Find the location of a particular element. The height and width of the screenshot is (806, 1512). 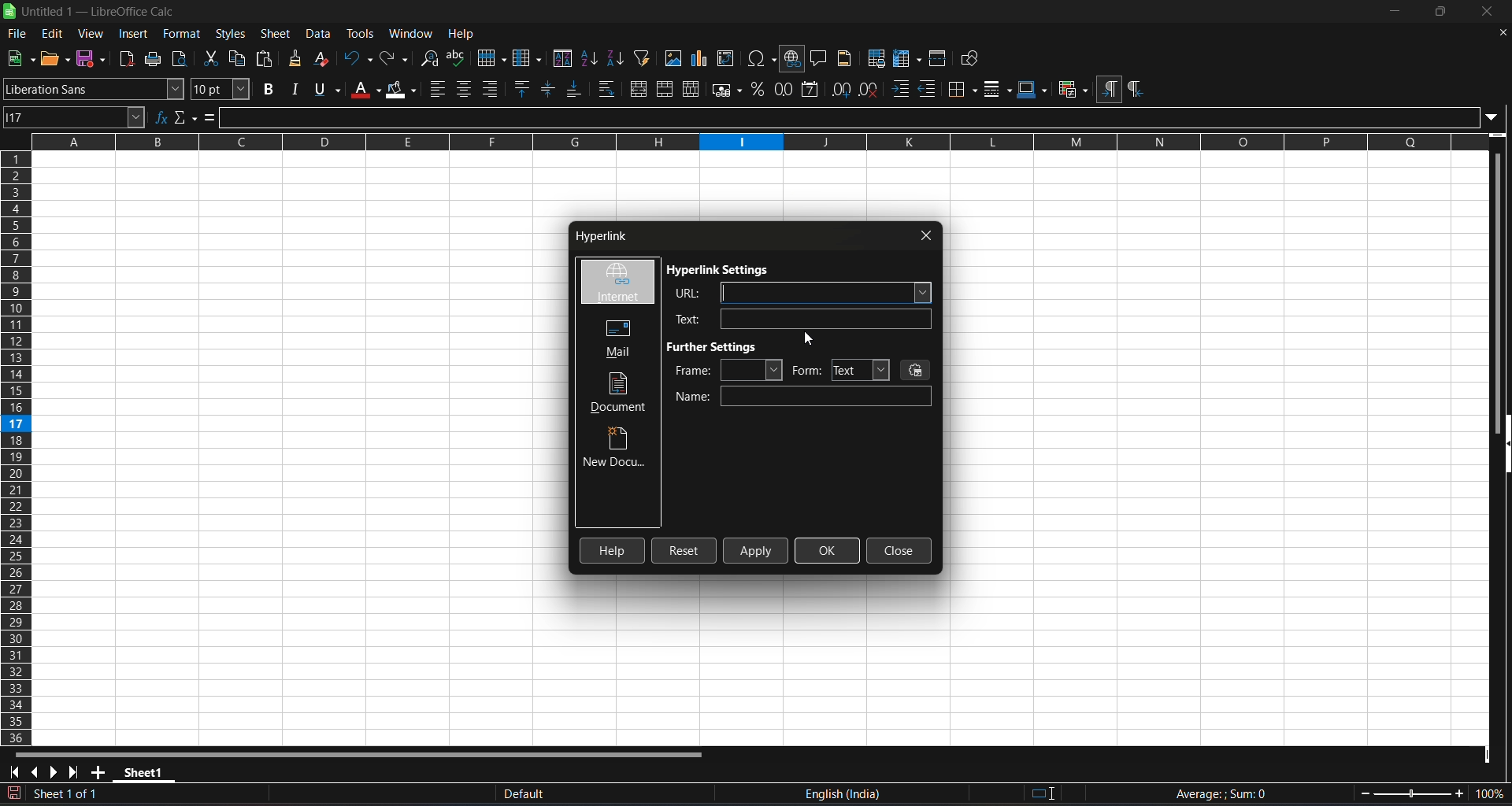

input line is located at coordinates (860, 115).